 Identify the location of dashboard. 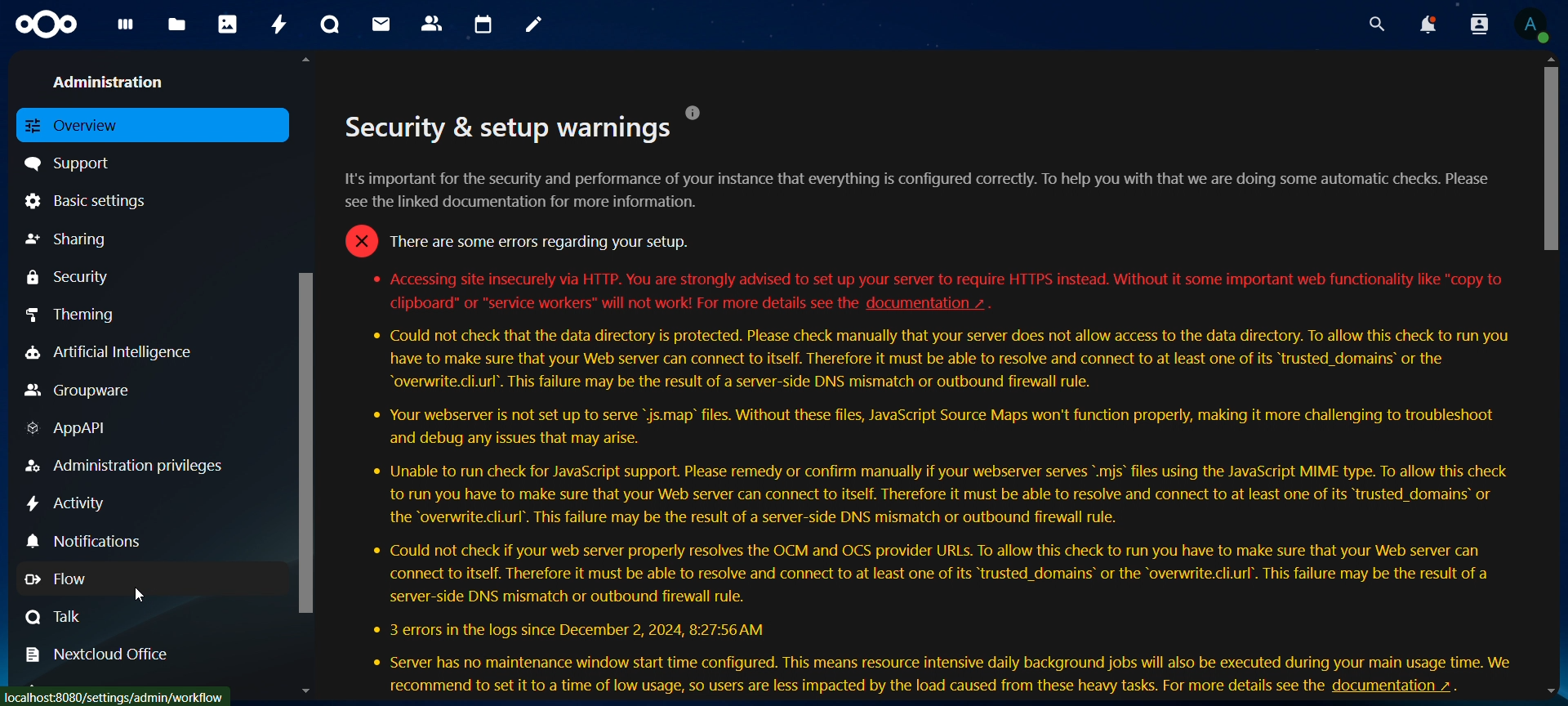
(127, 29).